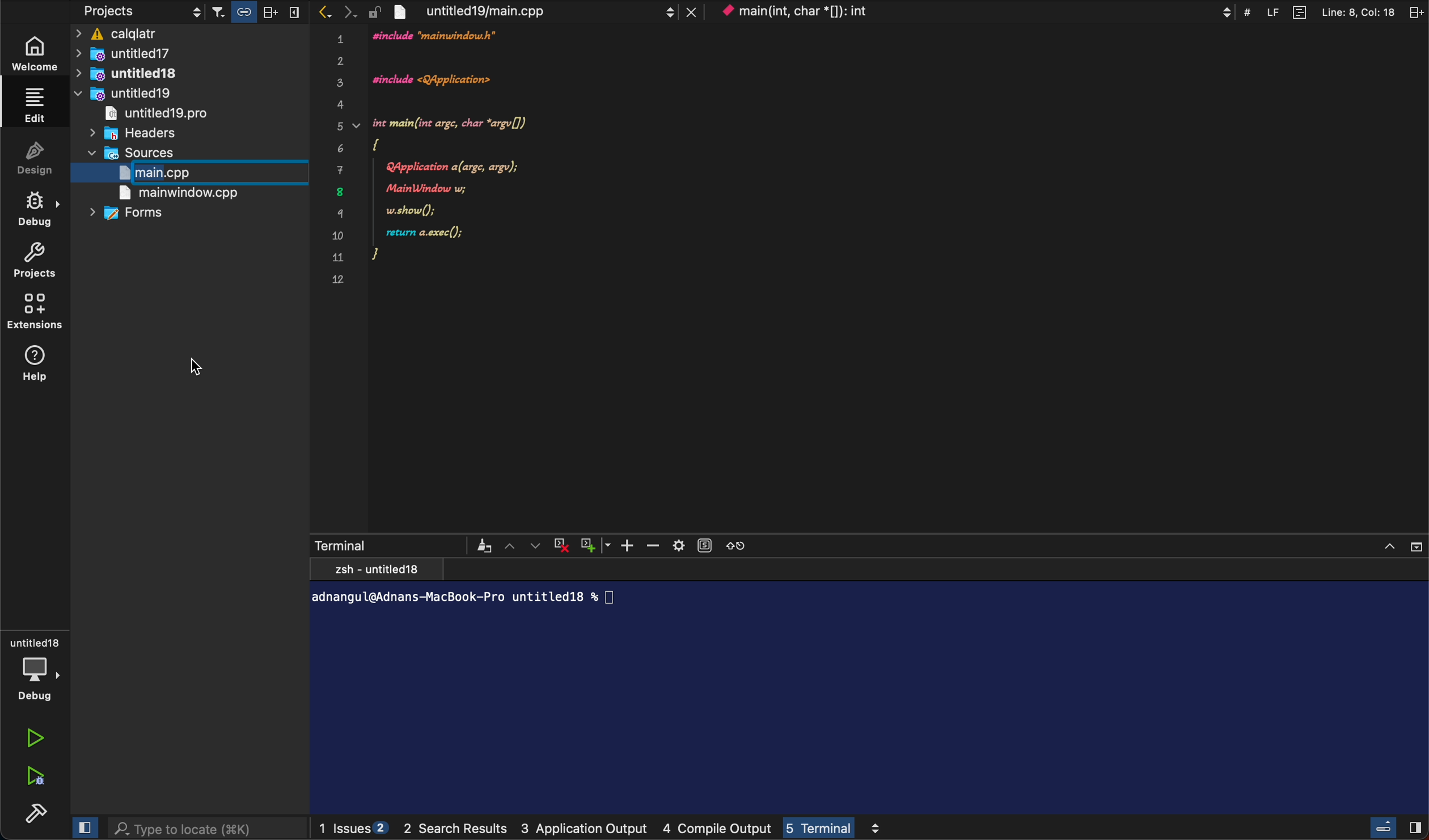  I want to click on Refresh, so click(736, 544).